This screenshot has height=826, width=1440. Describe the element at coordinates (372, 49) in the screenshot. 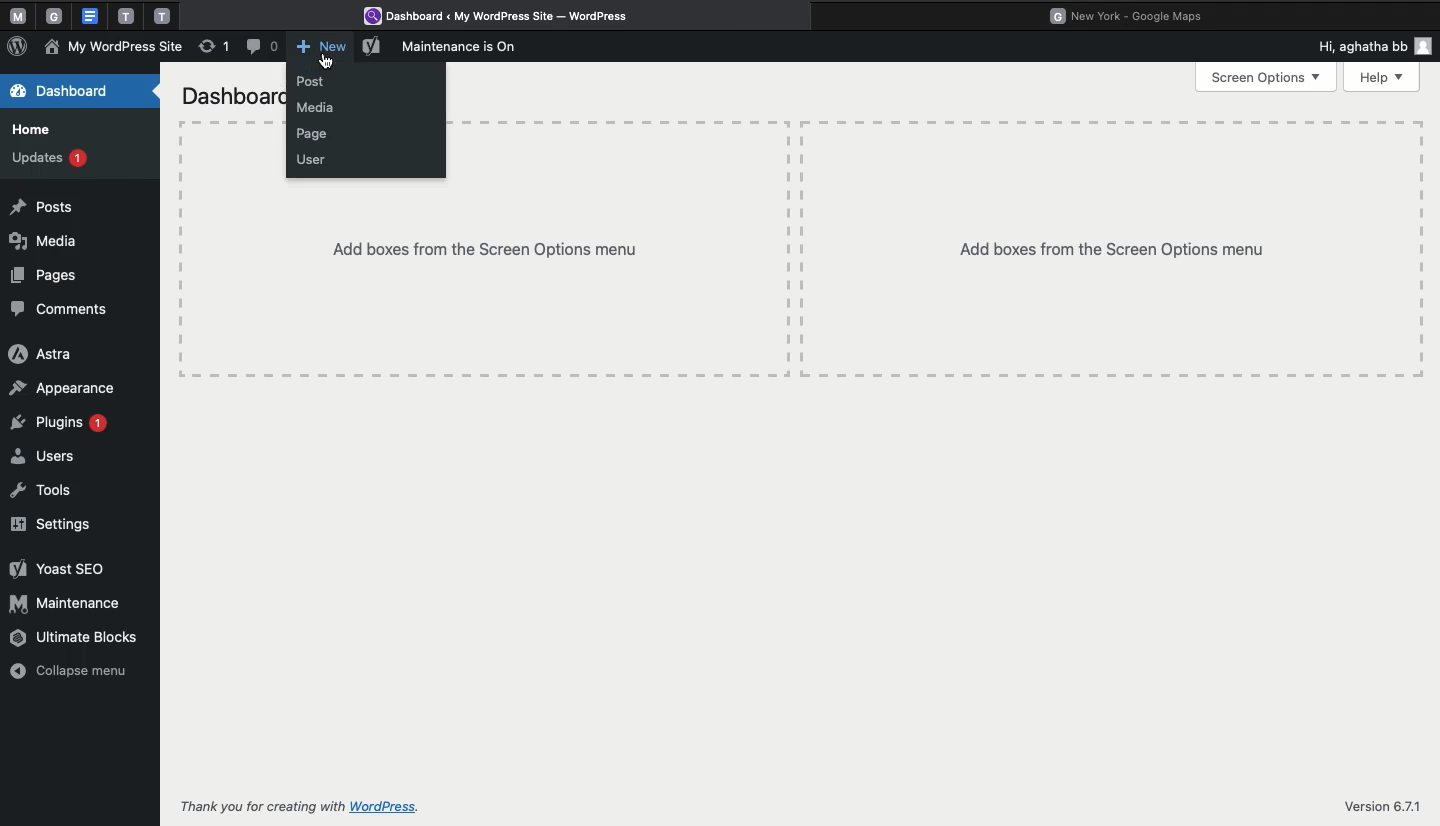

I see `Yoast` at that location.